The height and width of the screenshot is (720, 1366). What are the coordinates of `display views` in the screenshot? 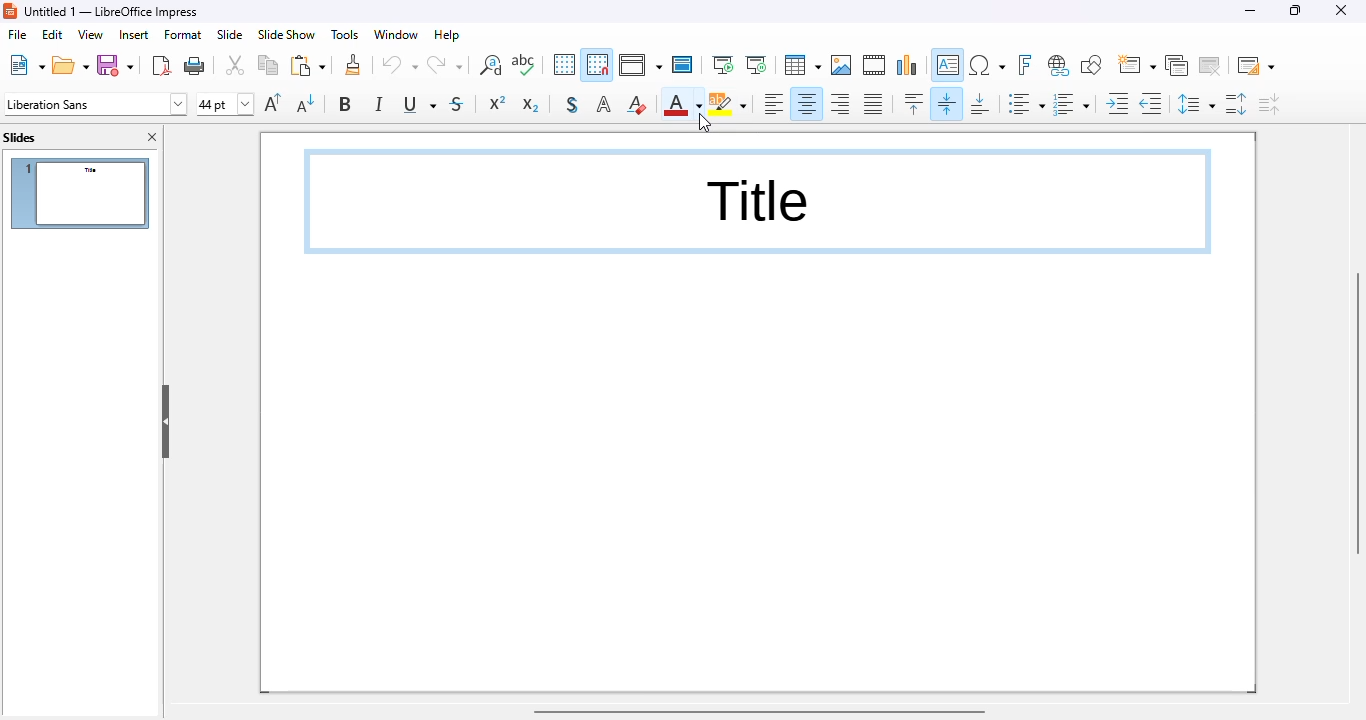 It's located at (639, 65).